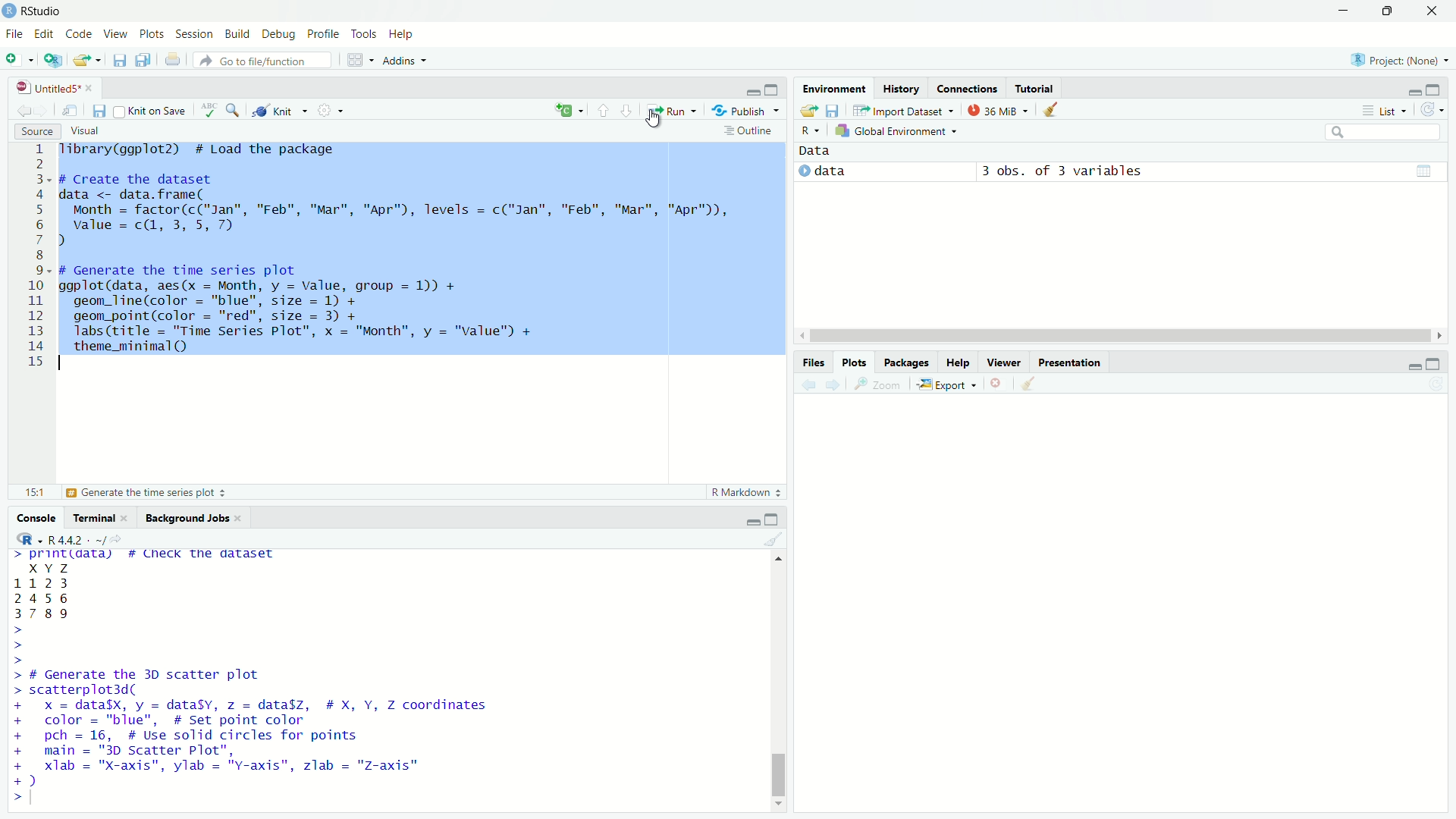 The image size is (1456, 819). What do you see at coordinates (773, 539) in the screenshot?
I see `clear console` at bounding box center [773, 539].